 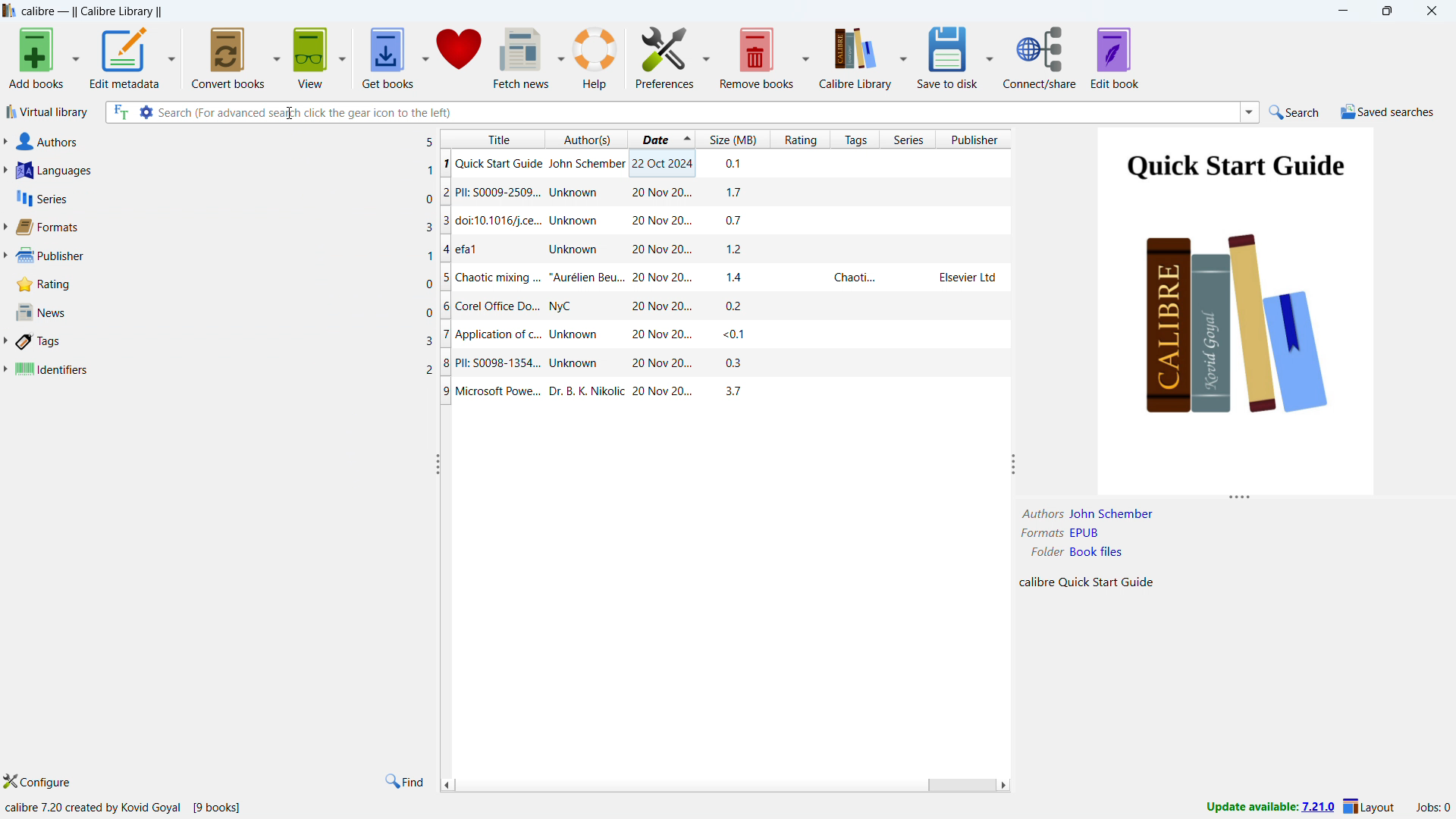 What do you see at coordinates (460, 56) in the screenshot?
I see `` at bounding box center [460, 56].